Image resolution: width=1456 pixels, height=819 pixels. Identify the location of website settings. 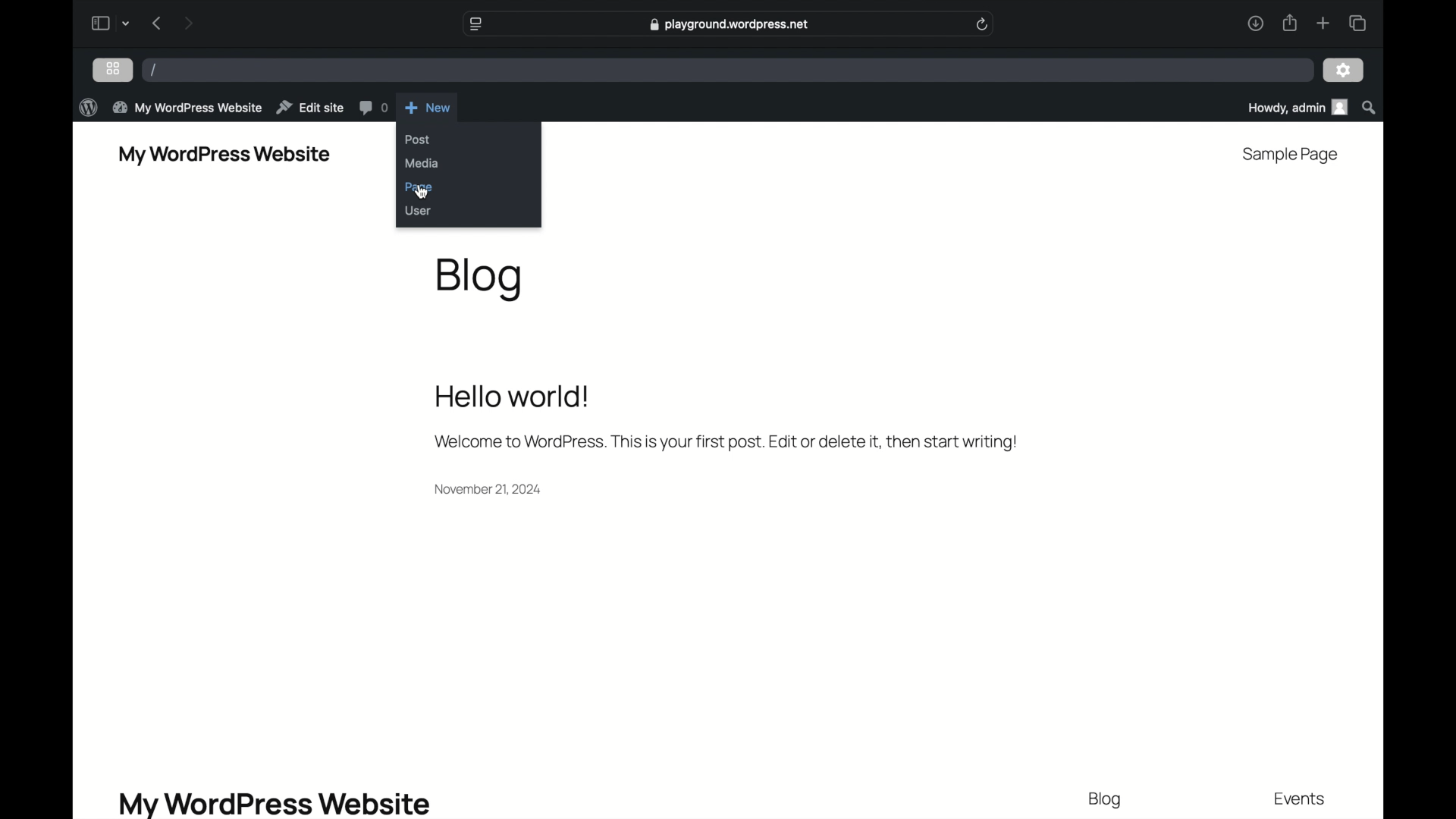
(476, 24).